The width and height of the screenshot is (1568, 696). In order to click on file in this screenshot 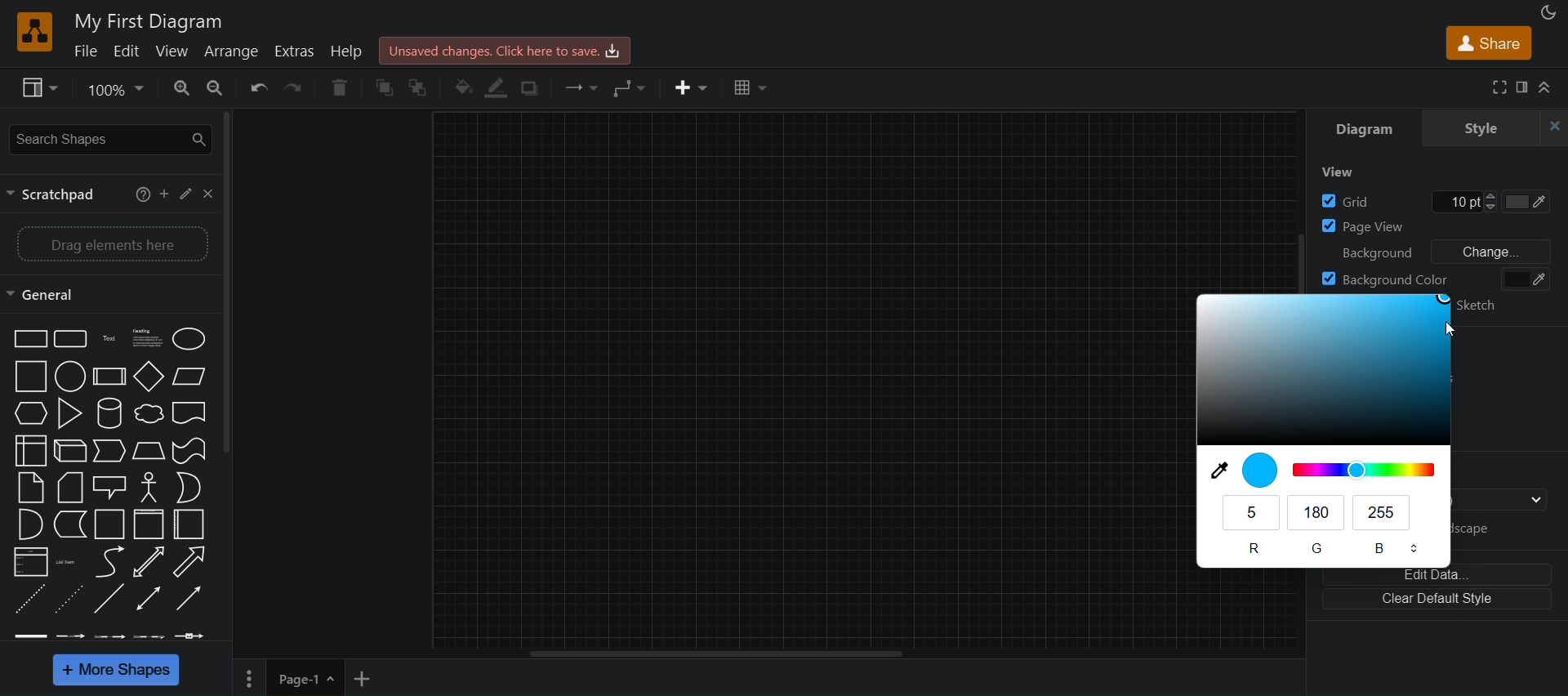, I will do `click(87, 53)`.